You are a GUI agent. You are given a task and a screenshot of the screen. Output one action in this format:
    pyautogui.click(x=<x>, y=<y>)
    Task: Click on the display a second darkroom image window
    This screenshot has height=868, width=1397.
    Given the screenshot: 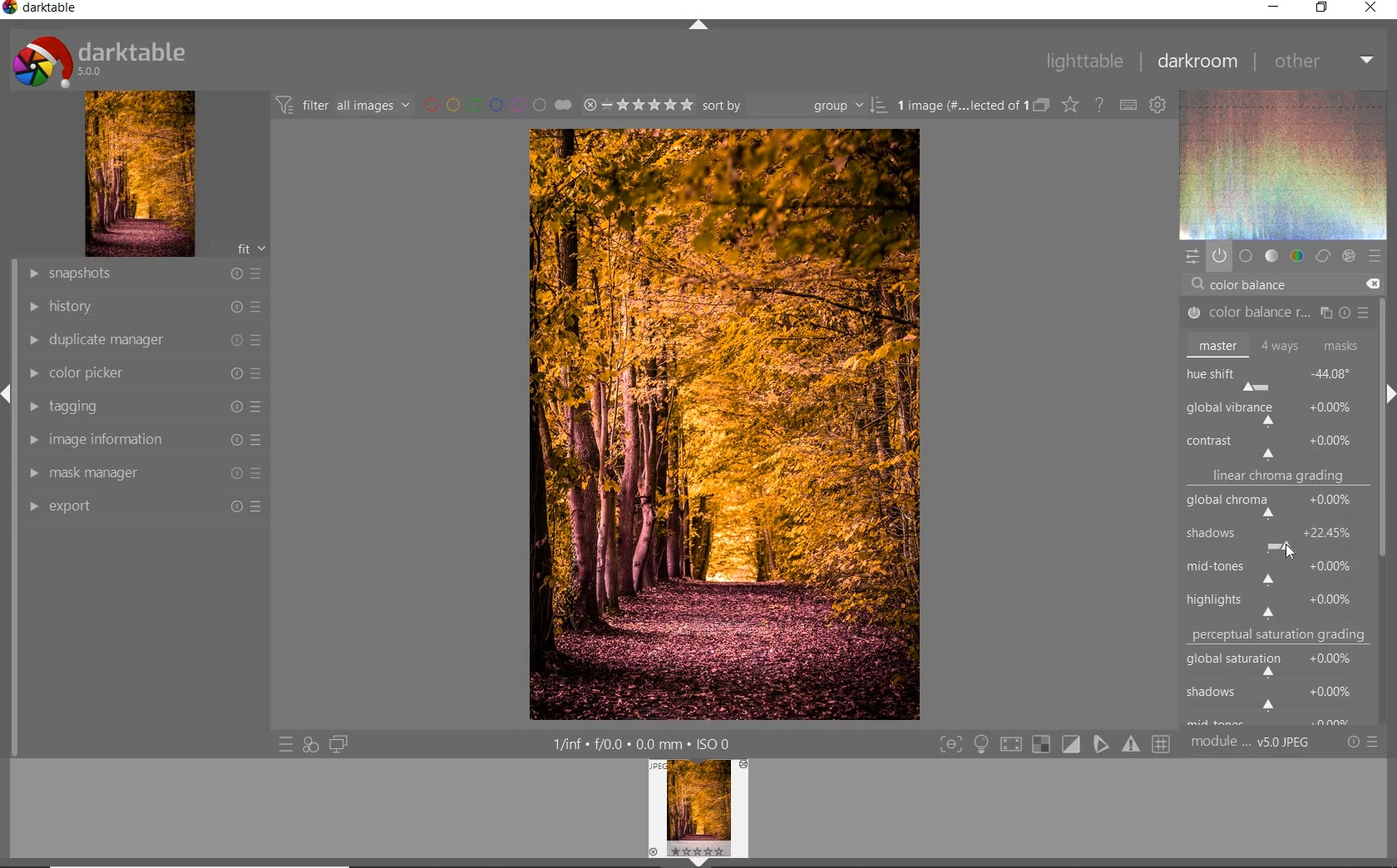 What is the action you would take?
    pyautogui.click(x=335, y=744)
    